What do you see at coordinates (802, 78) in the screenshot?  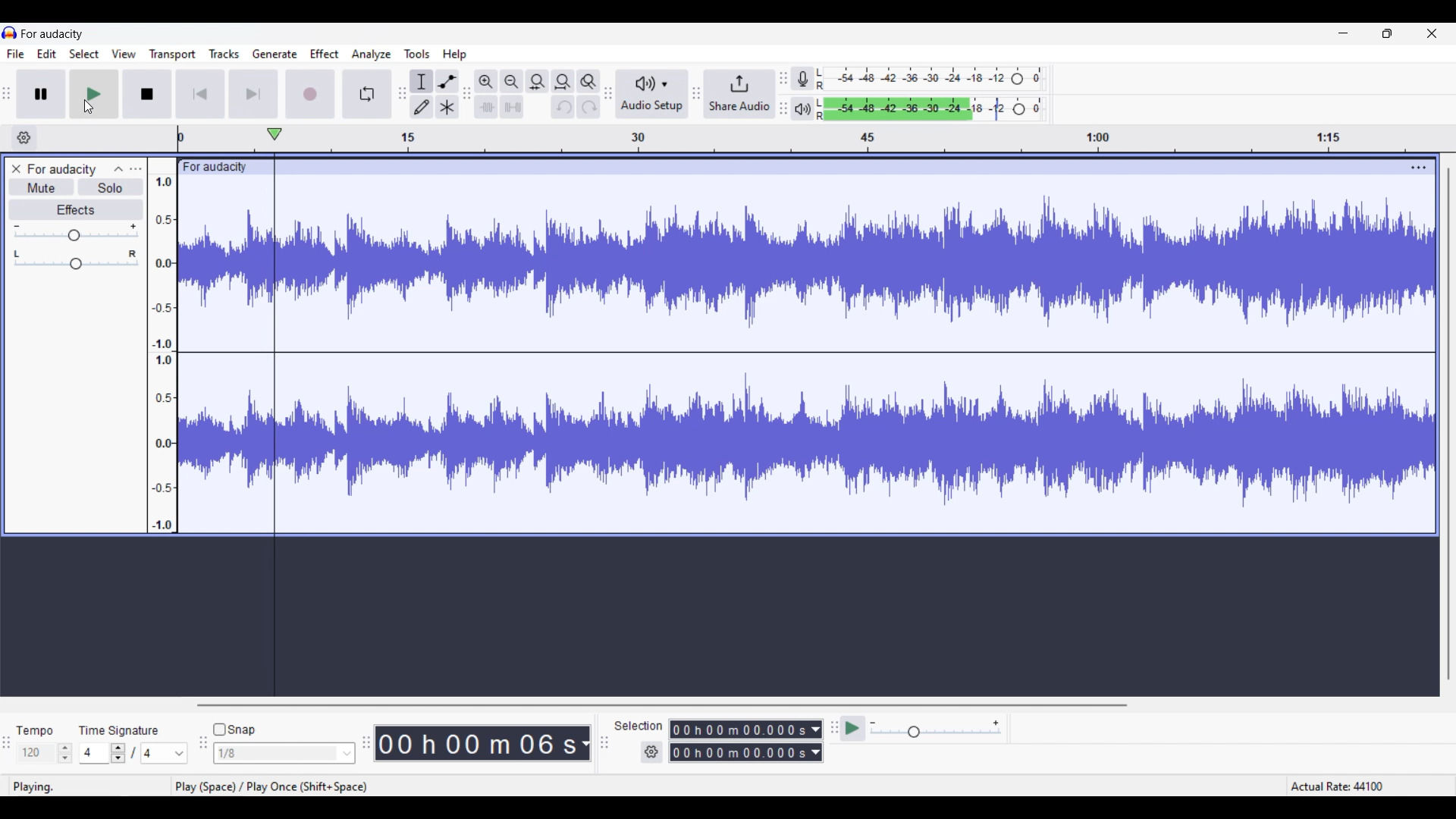 I see `Record meter` at bounding box center [802, 78].